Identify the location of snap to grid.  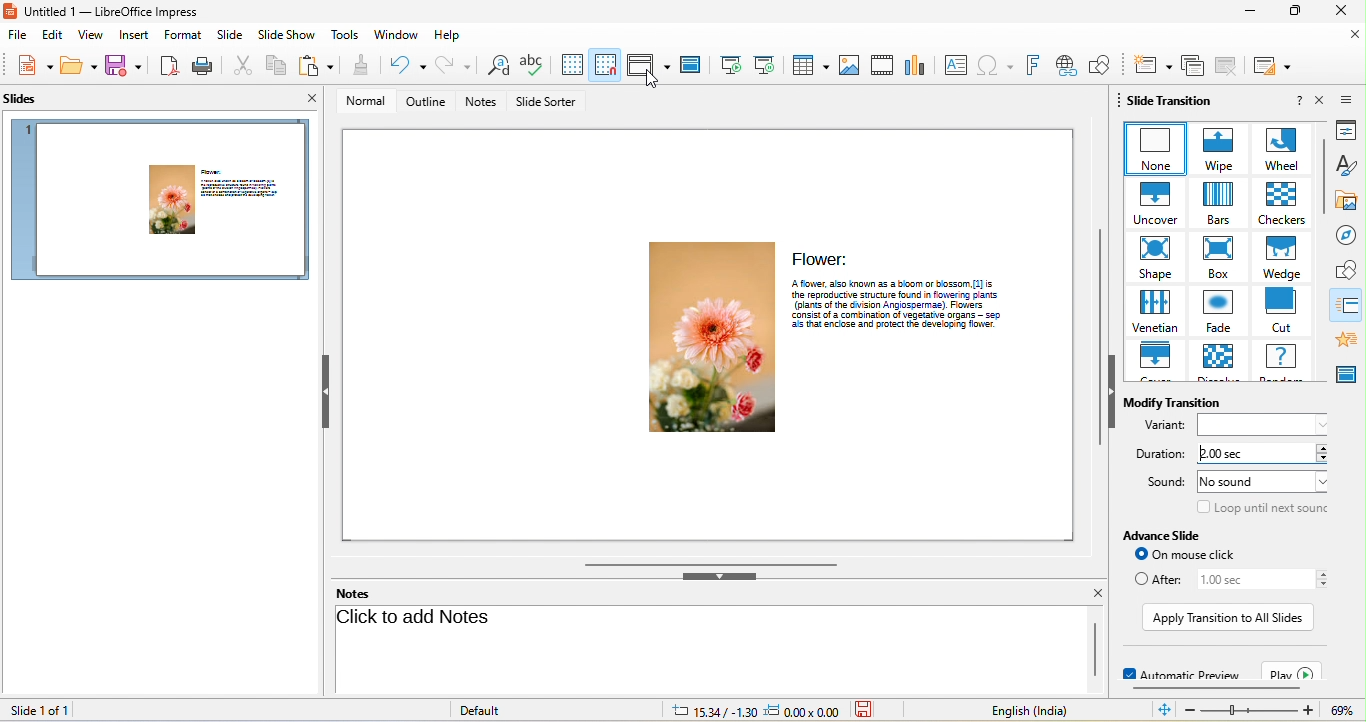
(606, 66).